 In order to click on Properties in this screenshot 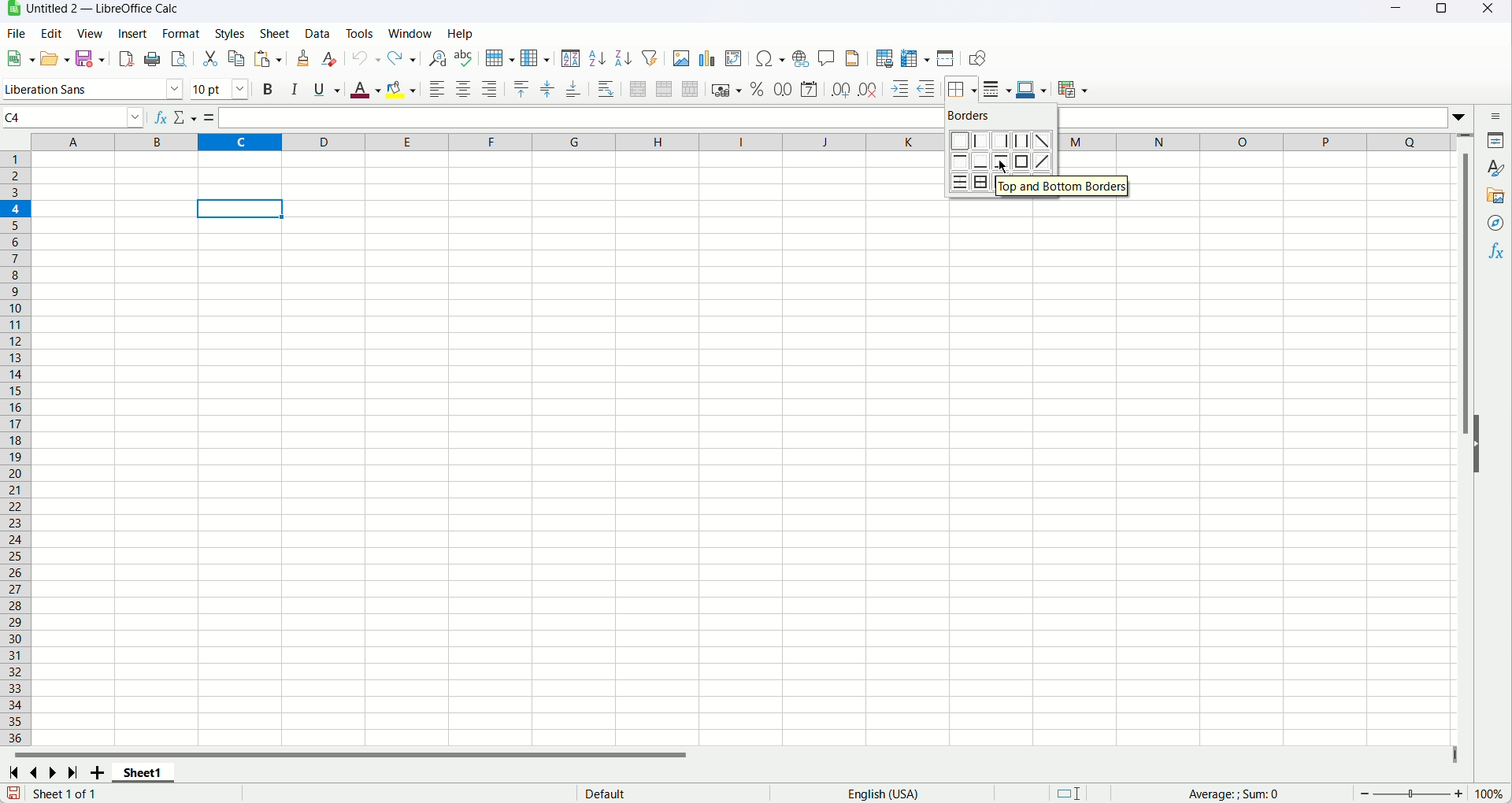, I will do `click(1495, 140)`.